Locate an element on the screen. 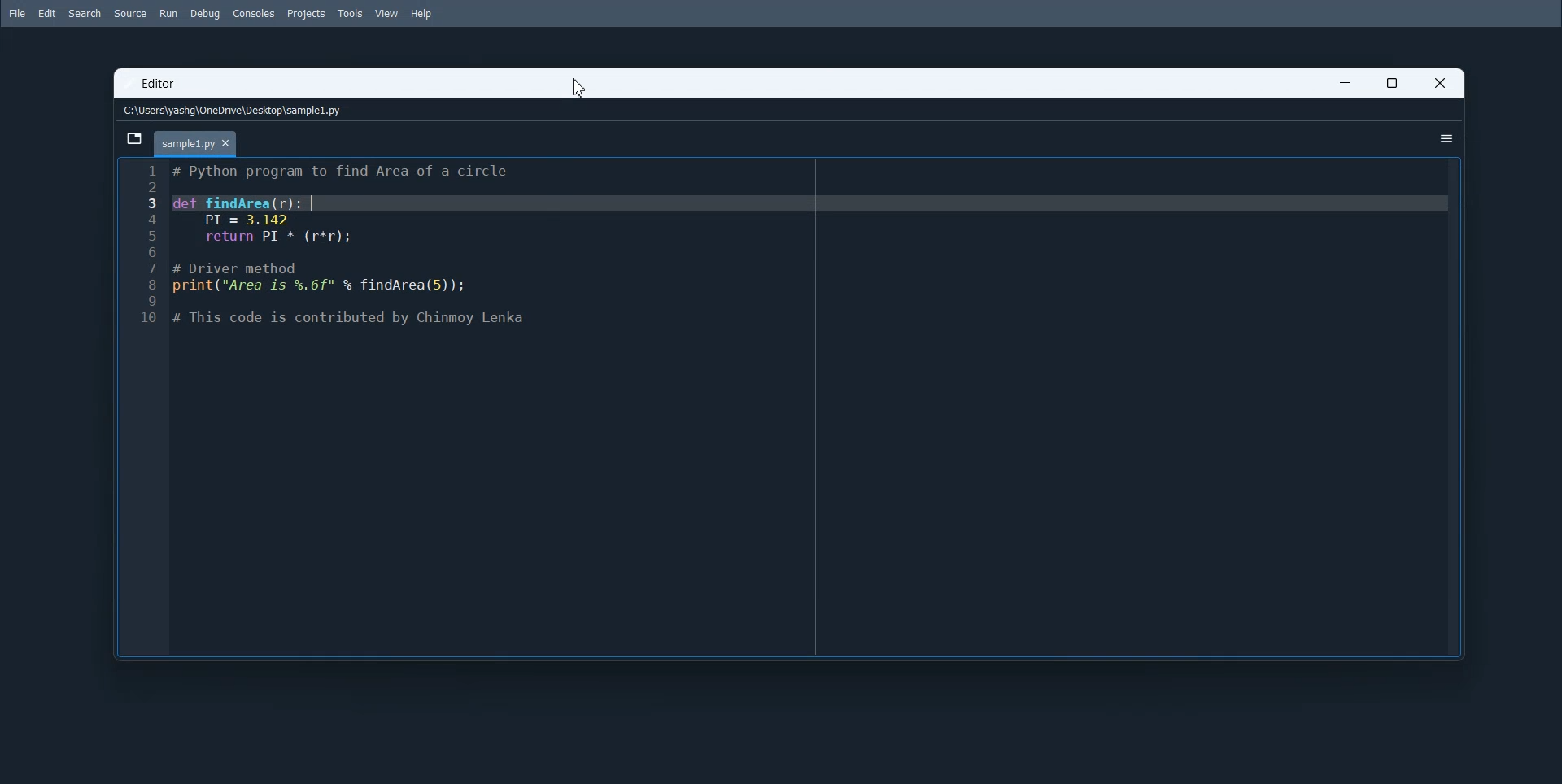  File Path address is located at coordinates (236, 111).